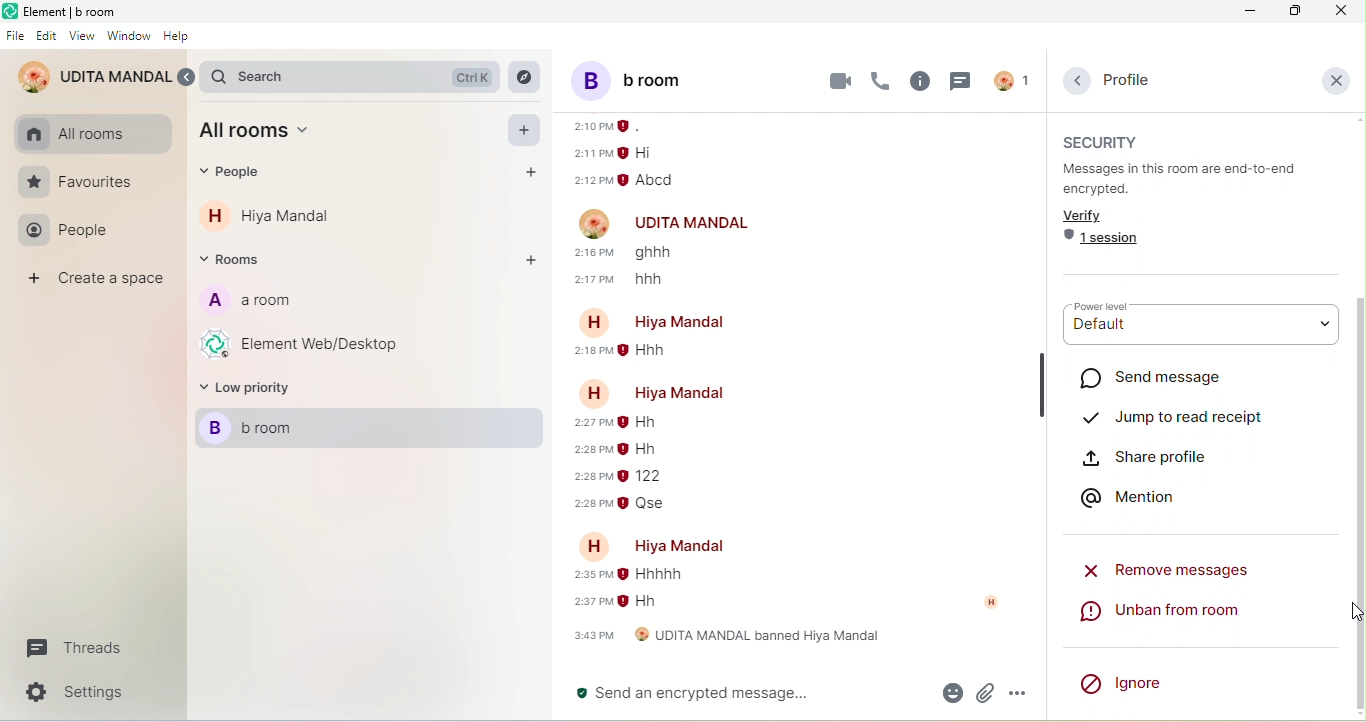 This screenshot has width=1366, height=722. Describe the element at coordinates (661, 180) in the screenshot. I see `abcd` at that location.